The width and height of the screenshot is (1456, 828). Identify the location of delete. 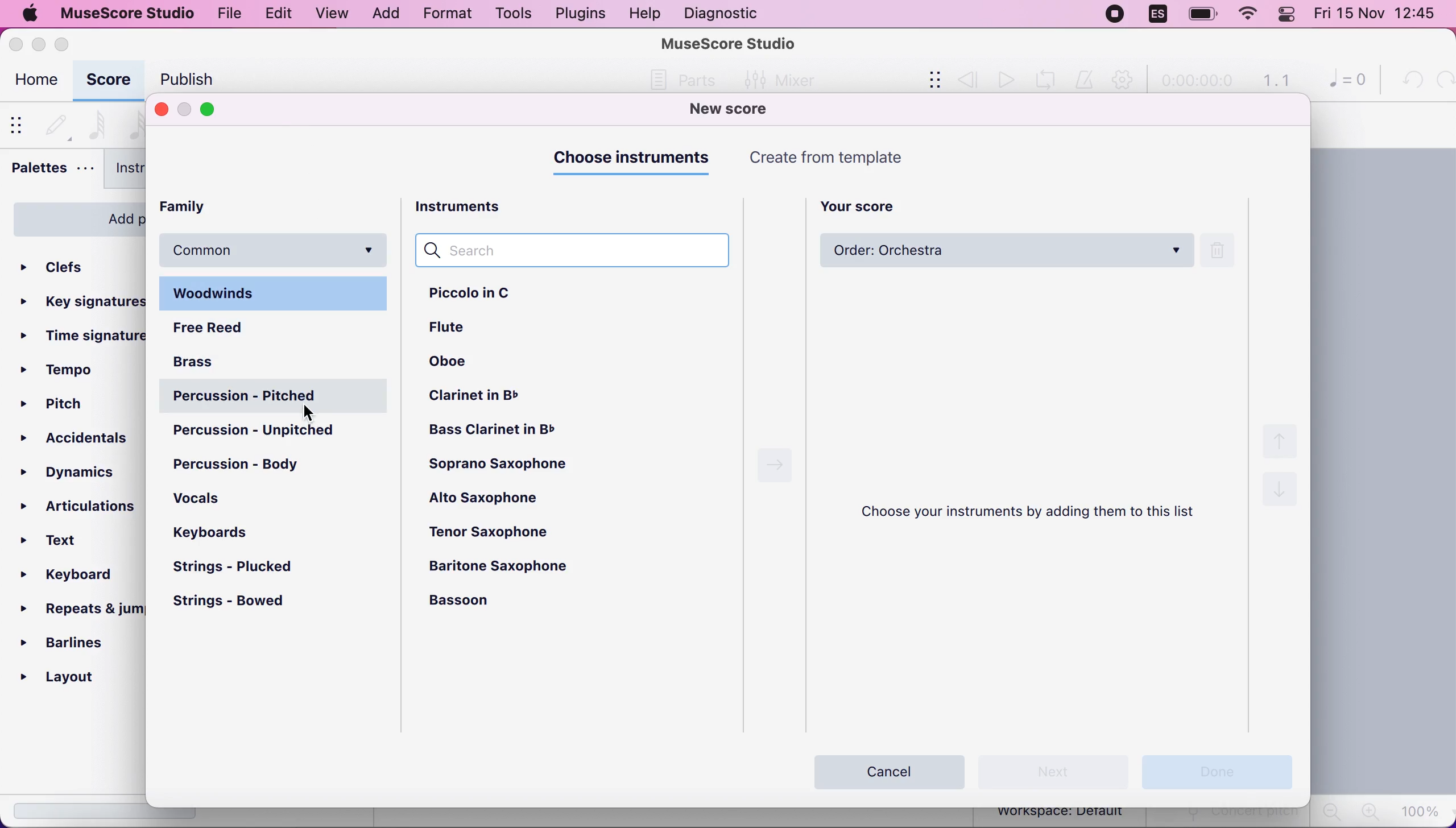
(1225, 251).